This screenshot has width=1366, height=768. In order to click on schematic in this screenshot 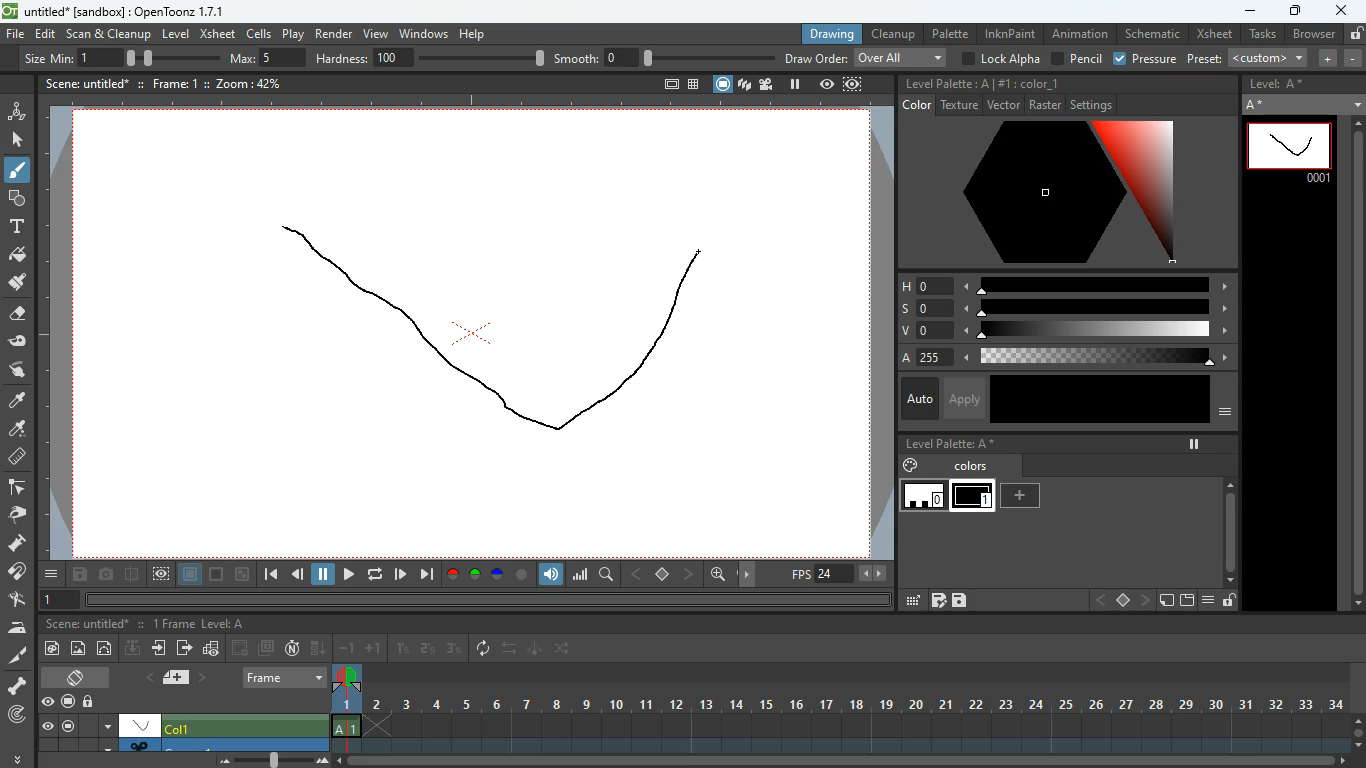, I will do `click(1152, 34)`.